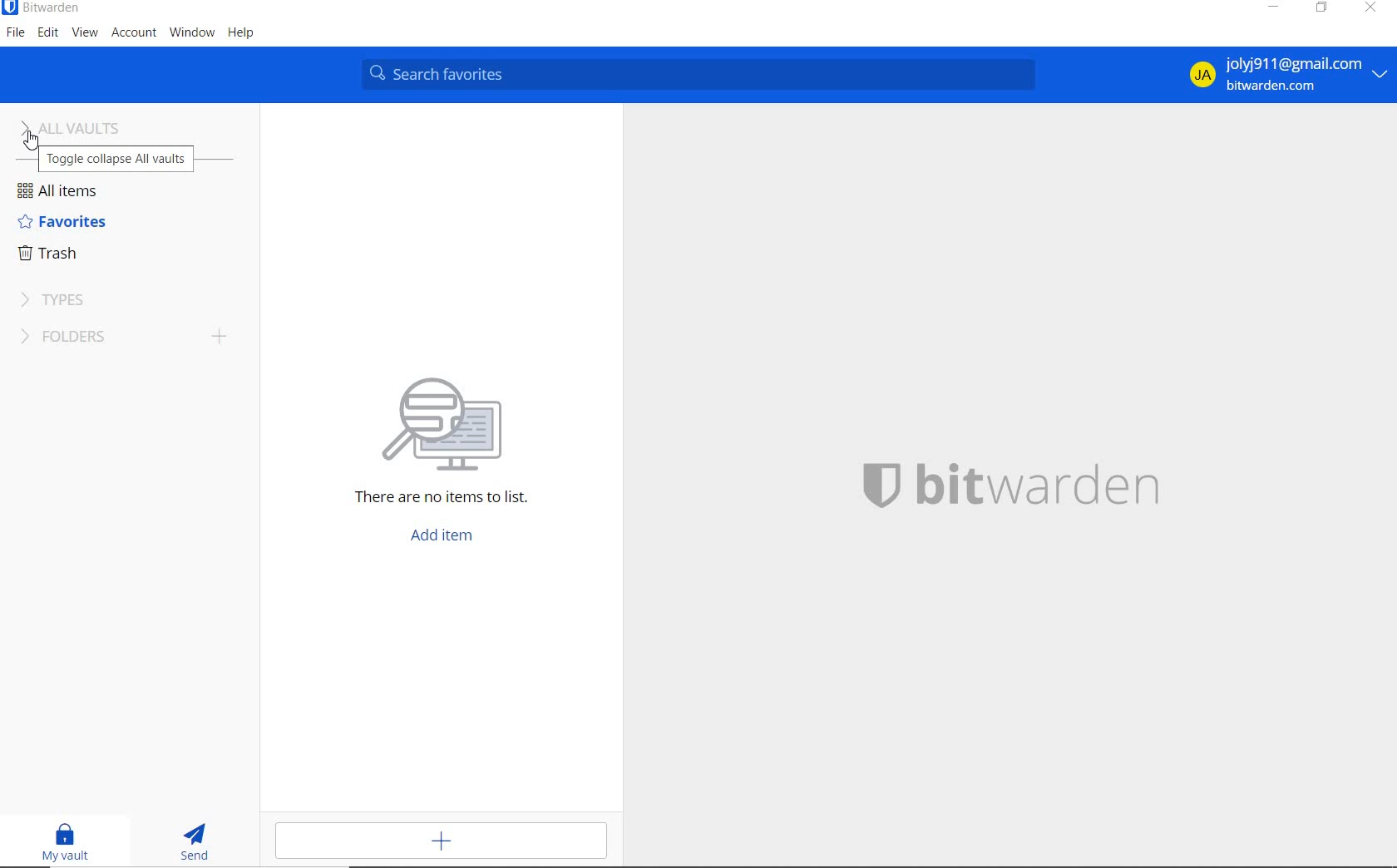 This screenshot has width=1397, height=868. What do you see at coordinates (1271, 8) in the screenshot?
I see `MINIMIZE` at bounding box center [1271, 8].